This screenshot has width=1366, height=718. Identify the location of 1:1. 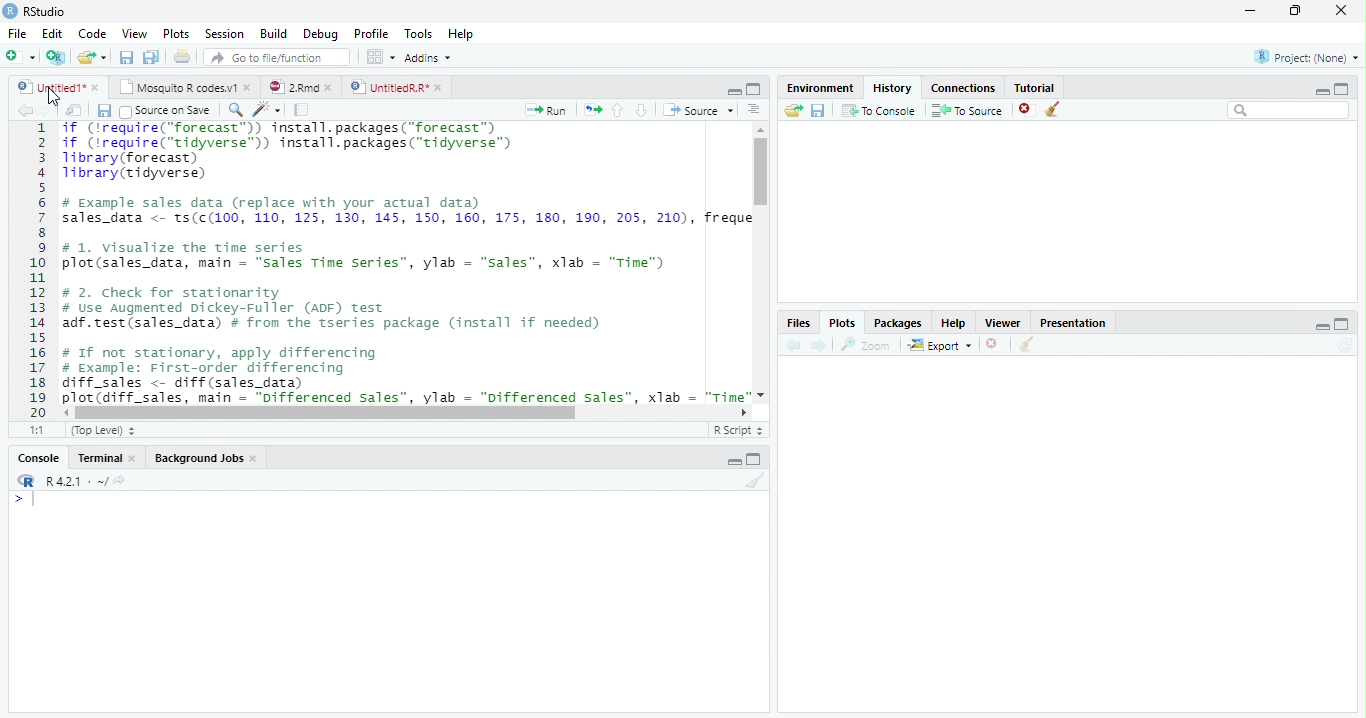
(40, 430).